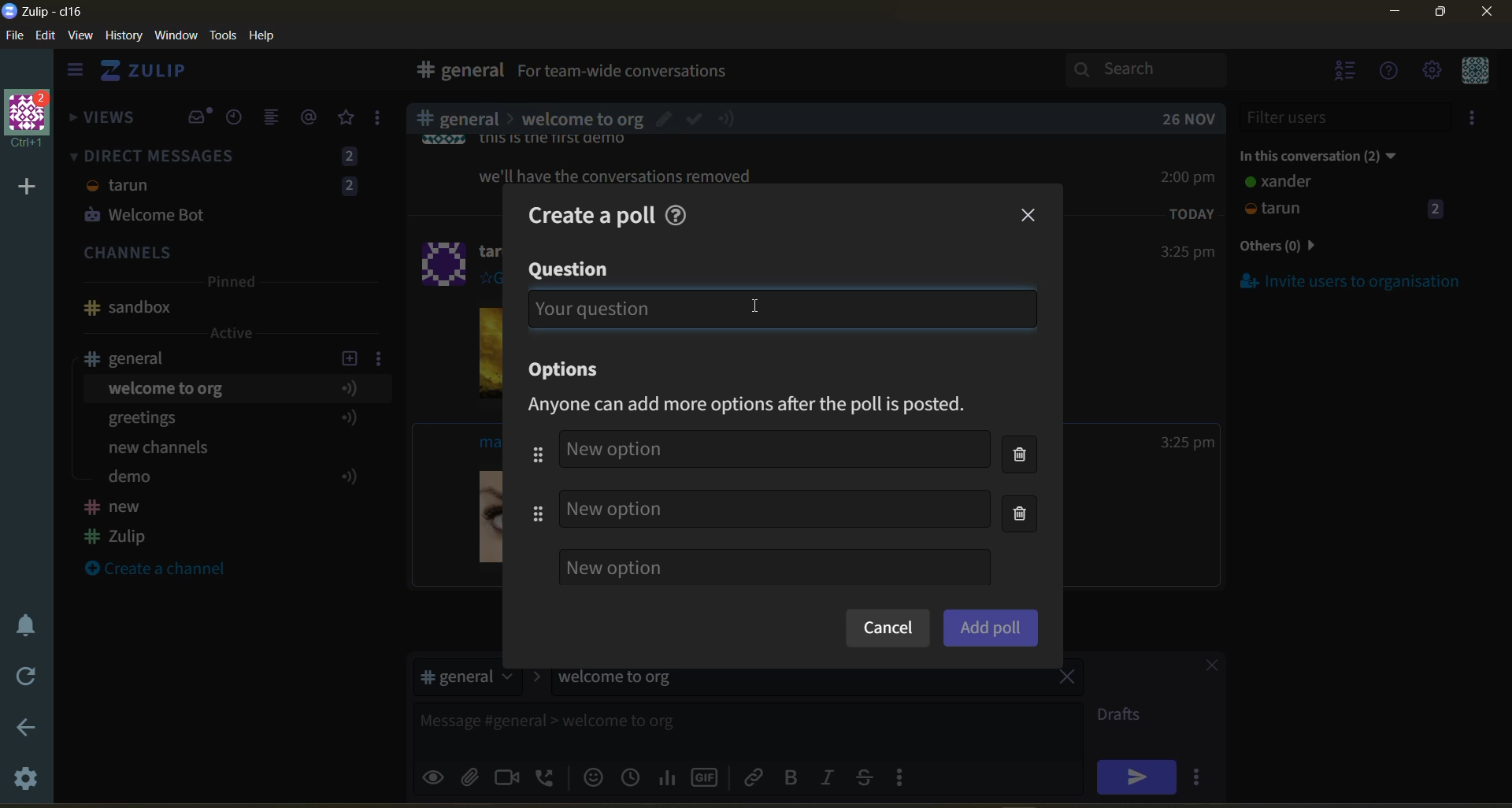 The height and width of the screenshot is (808, 1512). What do you see at coordinates (16, 39) in the screenshot?
I see `file` at bounding box center [16, 39].